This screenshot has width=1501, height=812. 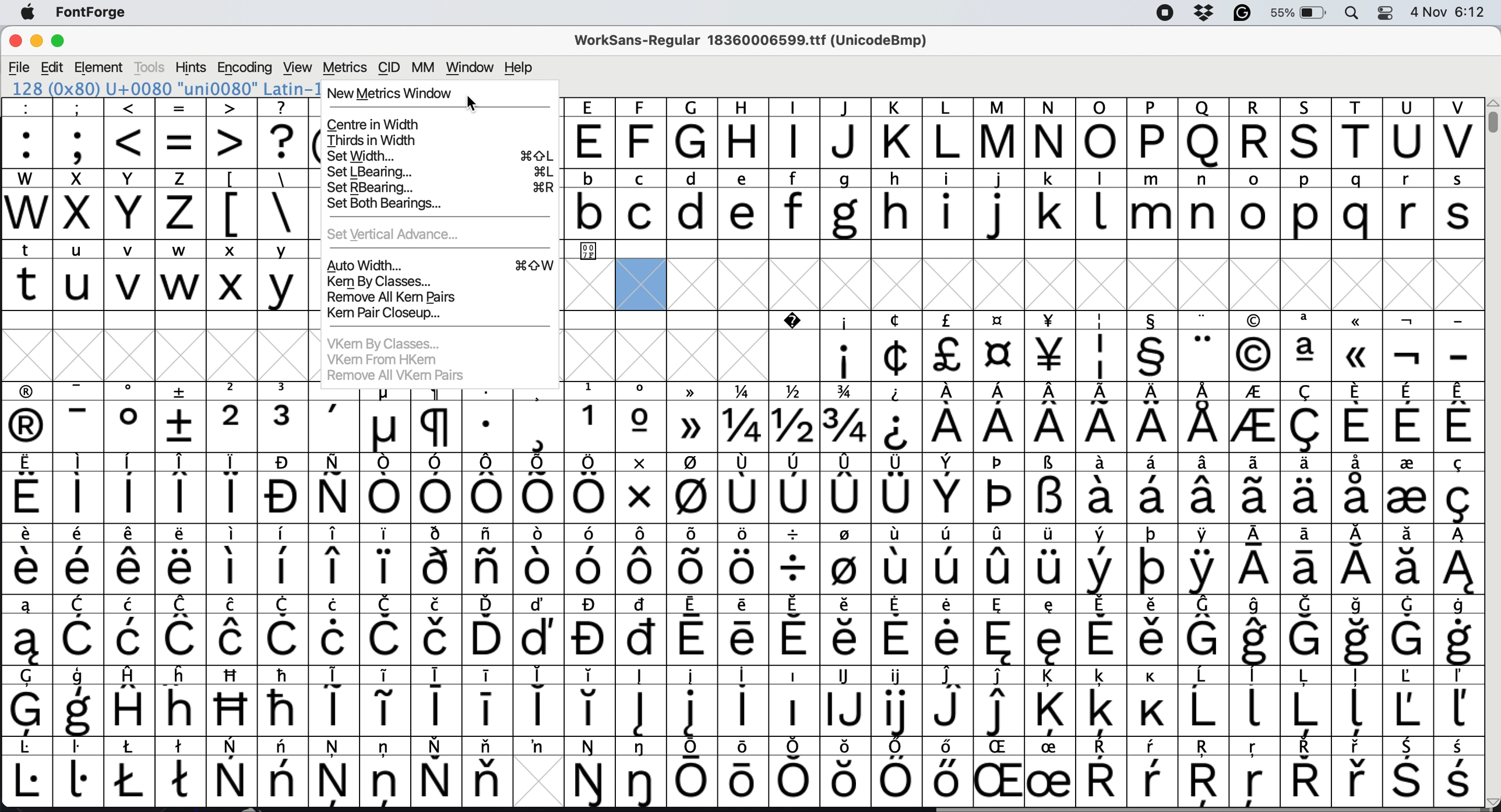 What do you see at coordinates (742, 605) in the screenshot?
I see `special characters` at bounding box center [742, 605].